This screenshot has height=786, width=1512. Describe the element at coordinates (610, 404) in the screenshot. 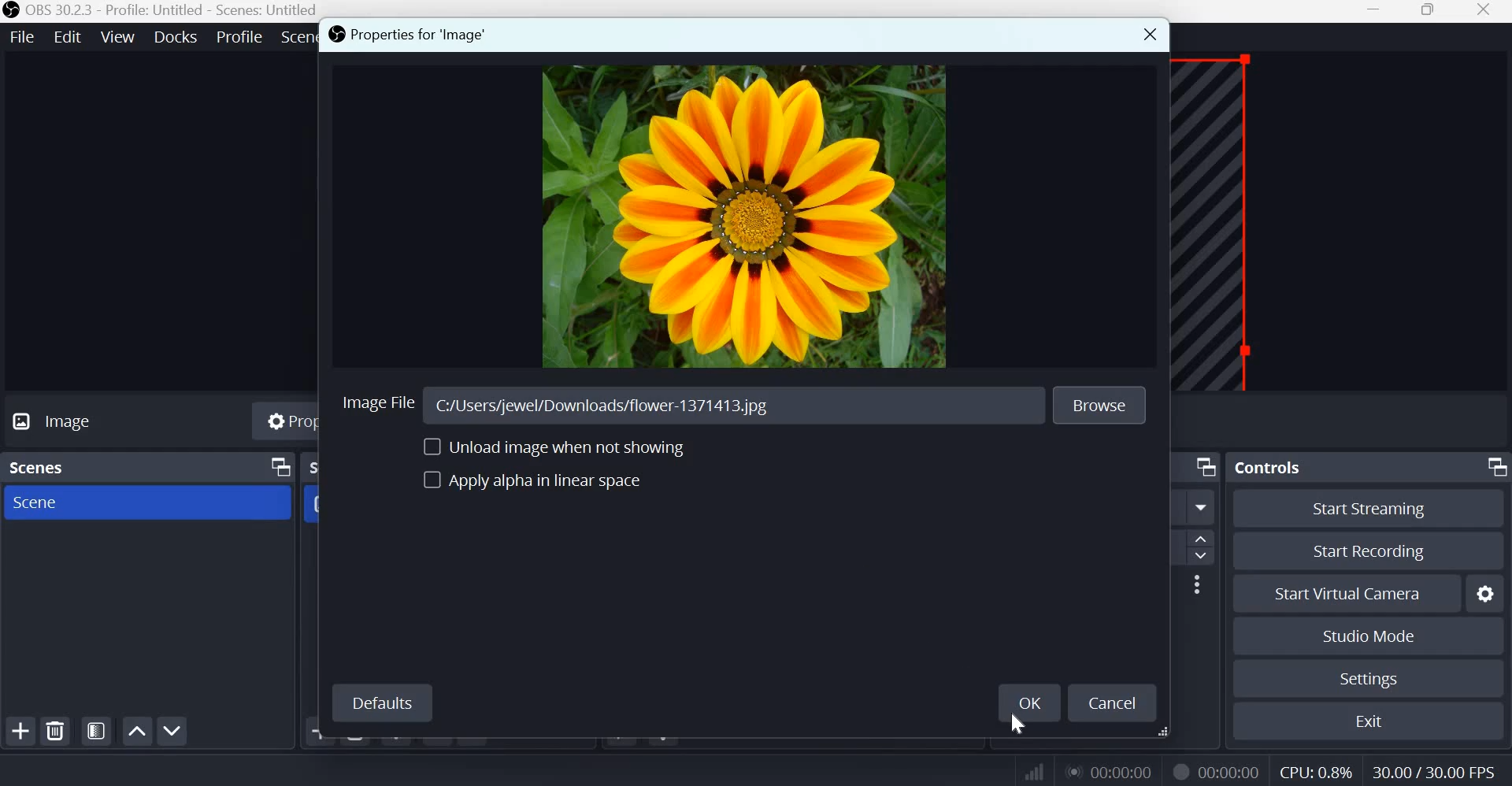

I see `C:/Users/jewel/Downloads/flower-1371413.jpg` at that location.